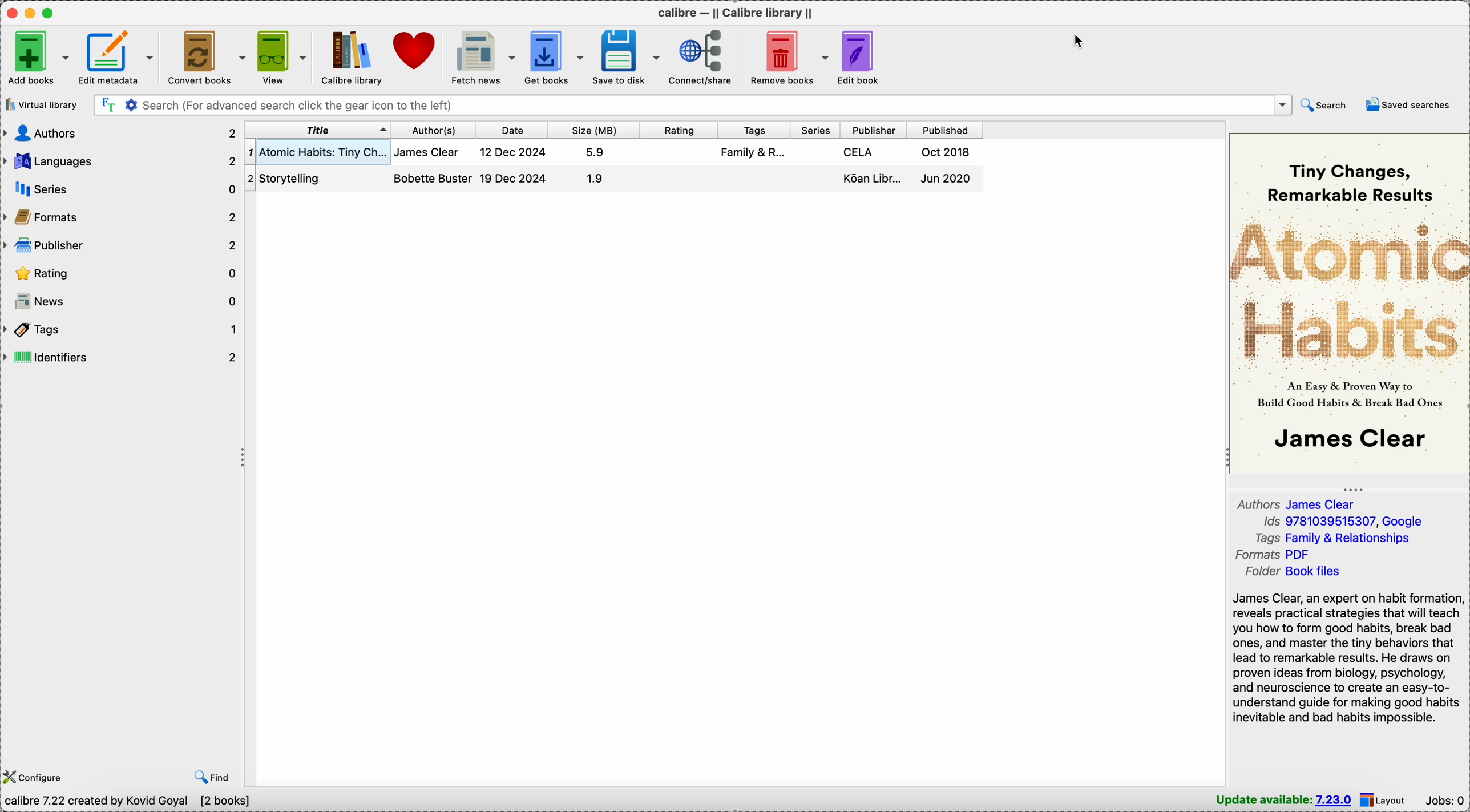 This screenshot has width=1470, height=812. What do you see at coordinates (627, 58) in the screenshot?
I see `save to disk` at bounding box center [627, 58].